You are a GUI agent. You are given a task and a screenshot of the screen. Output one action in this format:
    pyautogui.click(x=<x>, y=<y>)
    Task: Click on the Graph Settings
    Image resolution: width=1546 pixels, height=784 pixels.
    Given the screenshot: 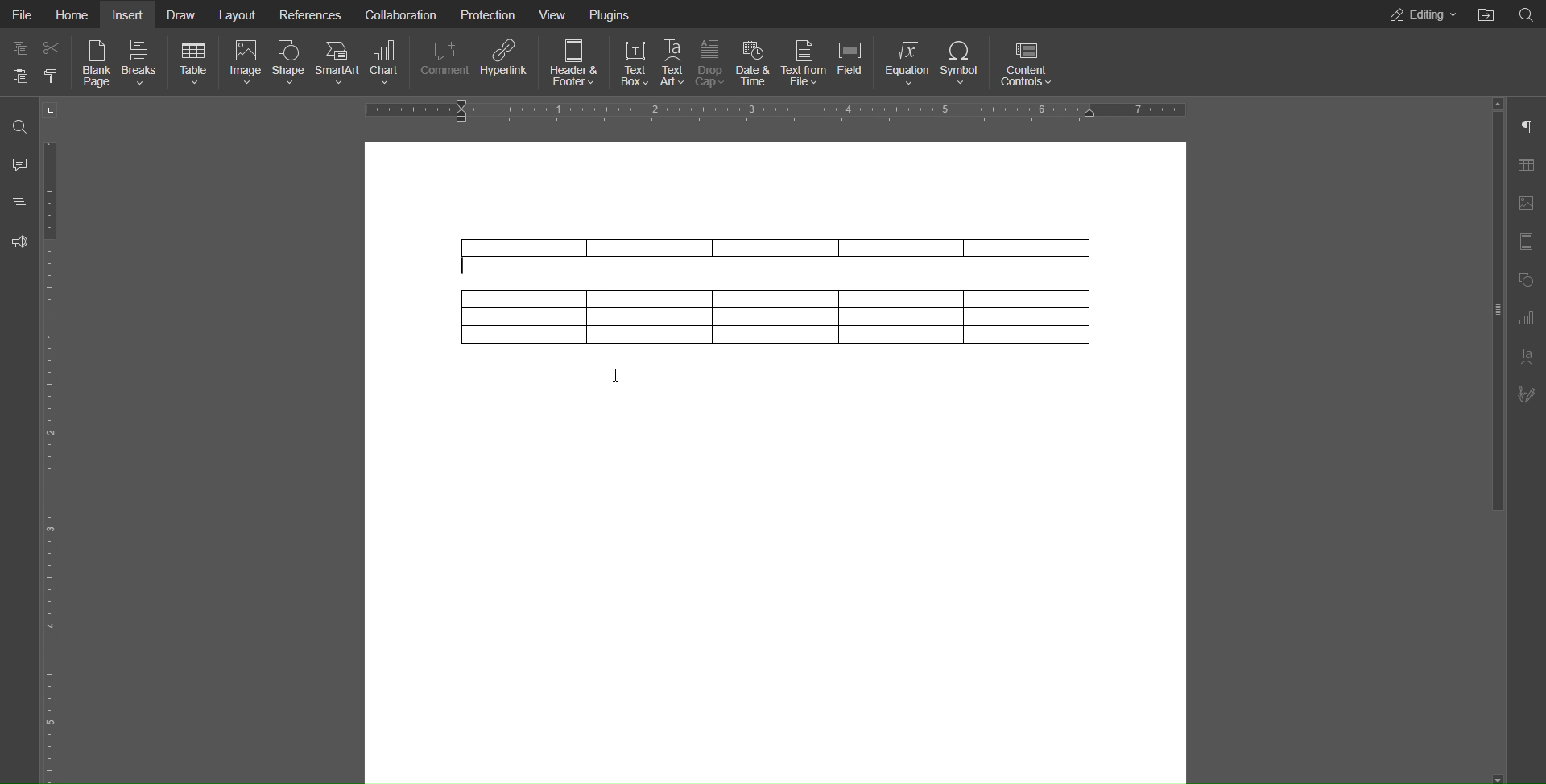 What is the action you would take?
    pyautogui.click(x=1526, y=320)
    